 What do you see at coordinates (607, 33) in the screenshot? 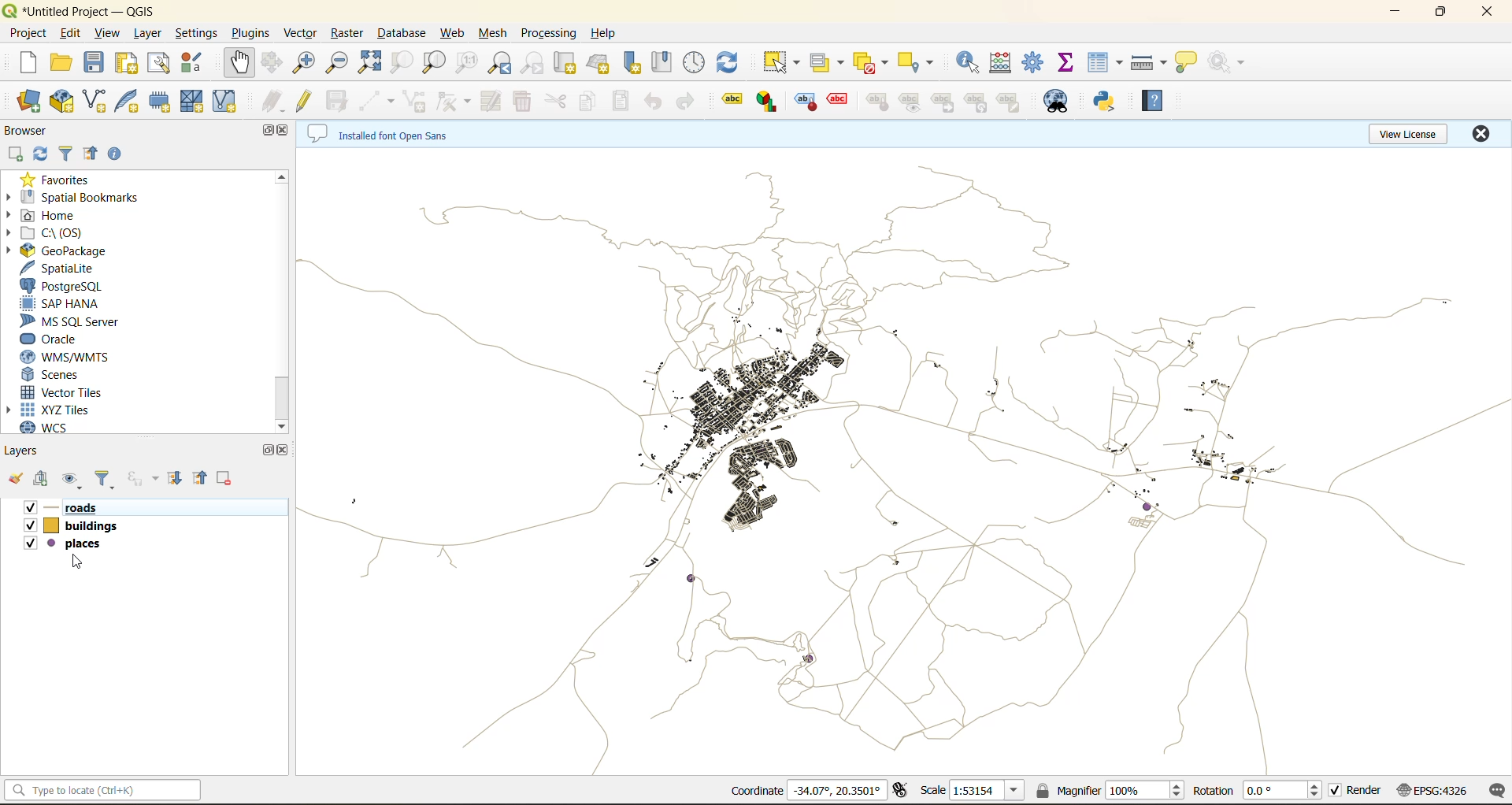
I see `help` at bounding box center [607, 33].